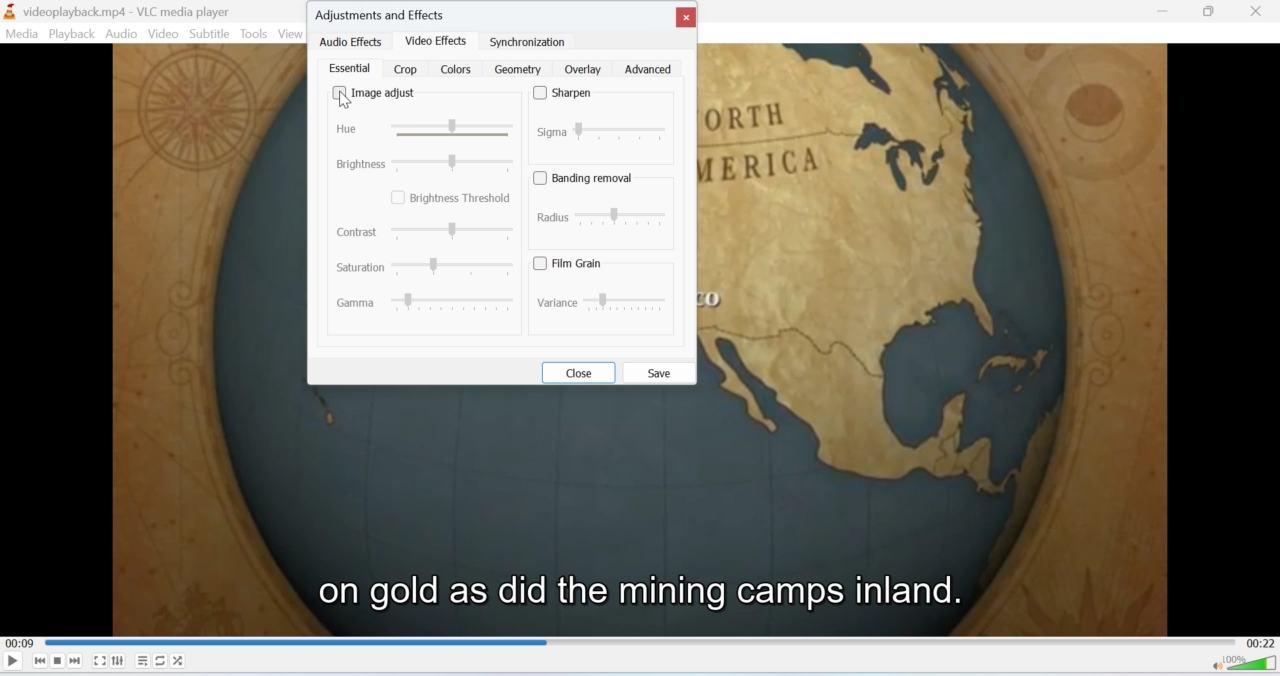  I want to click on Tools, so click(255, 34).